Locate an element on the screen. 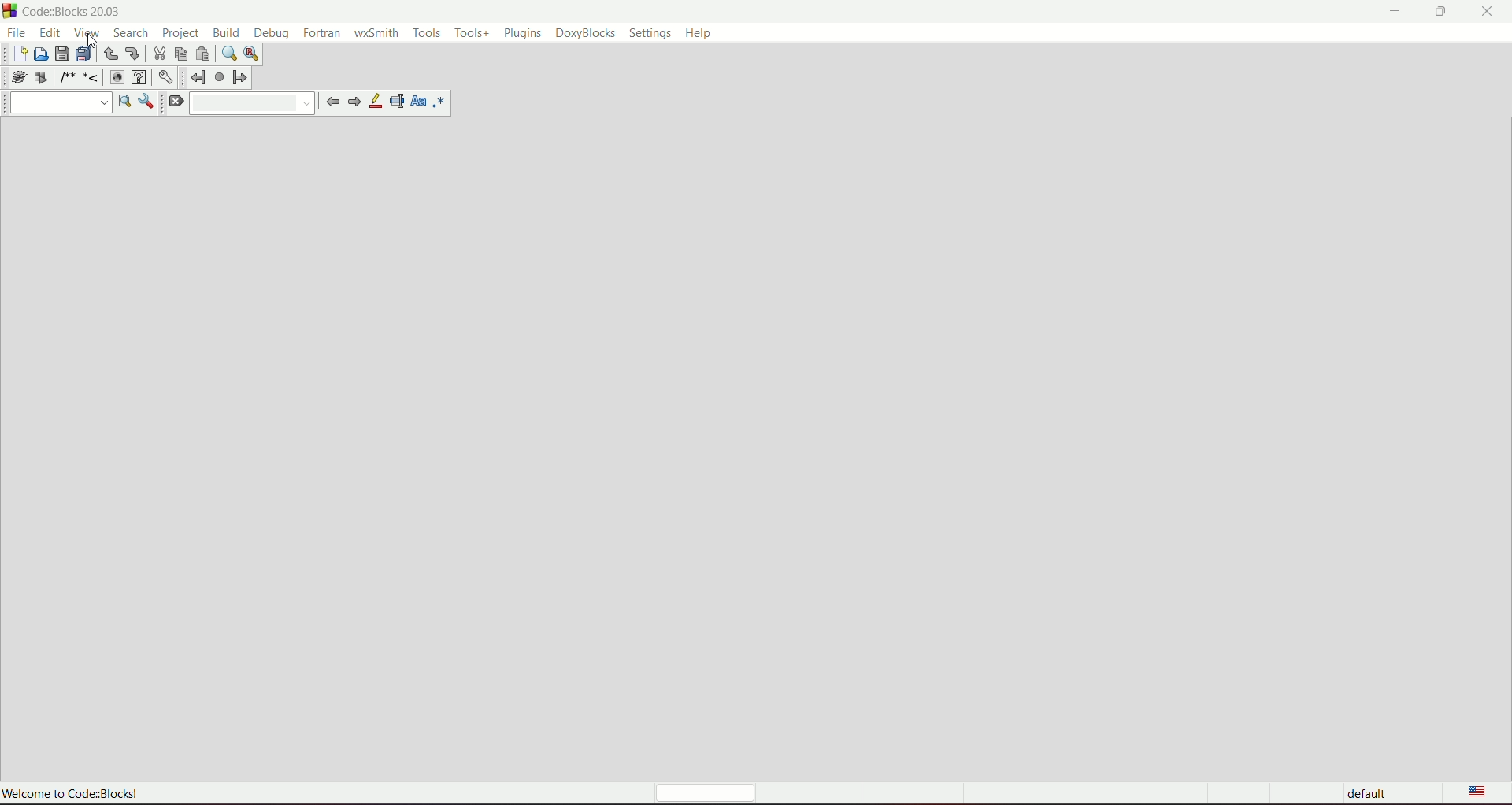 This screenshot has width=1512, height=805. CodezBlocks 20.03 is located at coordinates (65, 11).